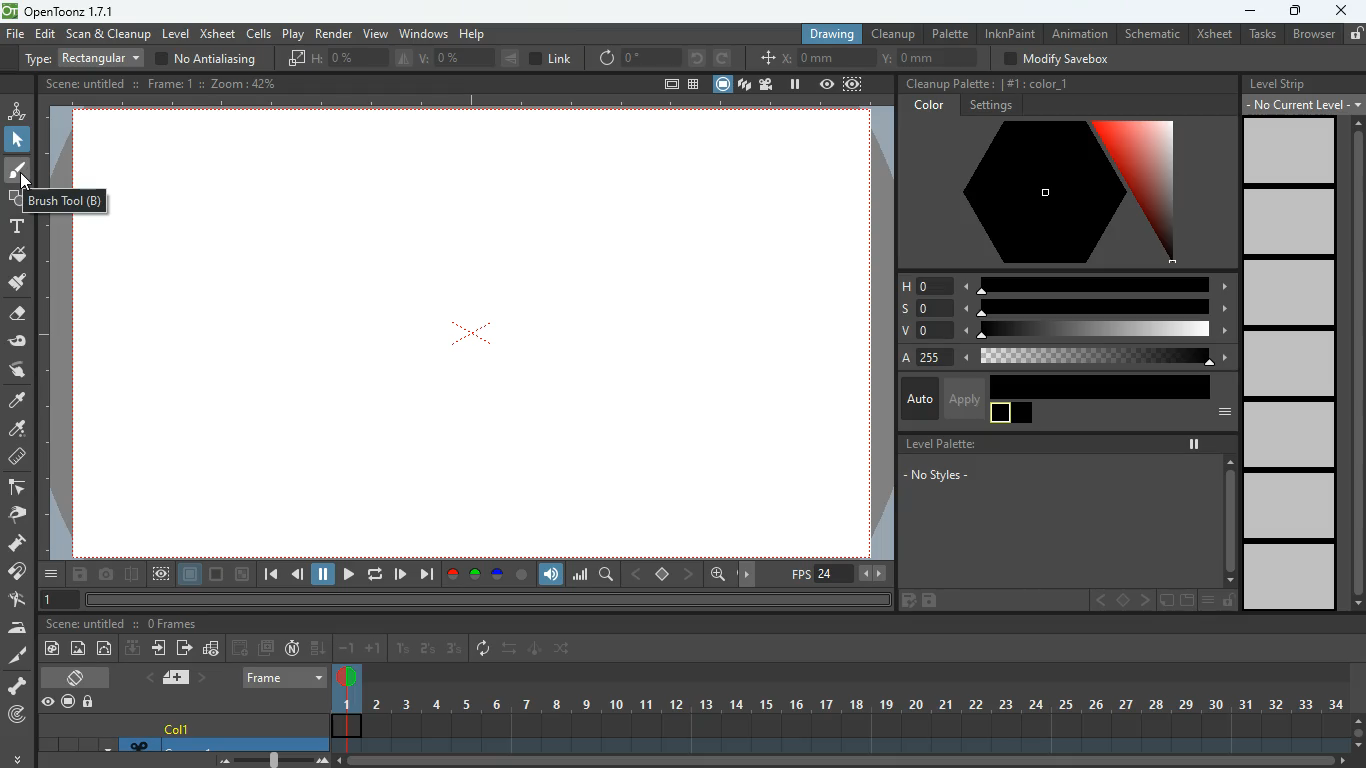  What do you see at coordinates (270, 576) in the screenshot?
I see `begin` at bounding box center [270, 576].